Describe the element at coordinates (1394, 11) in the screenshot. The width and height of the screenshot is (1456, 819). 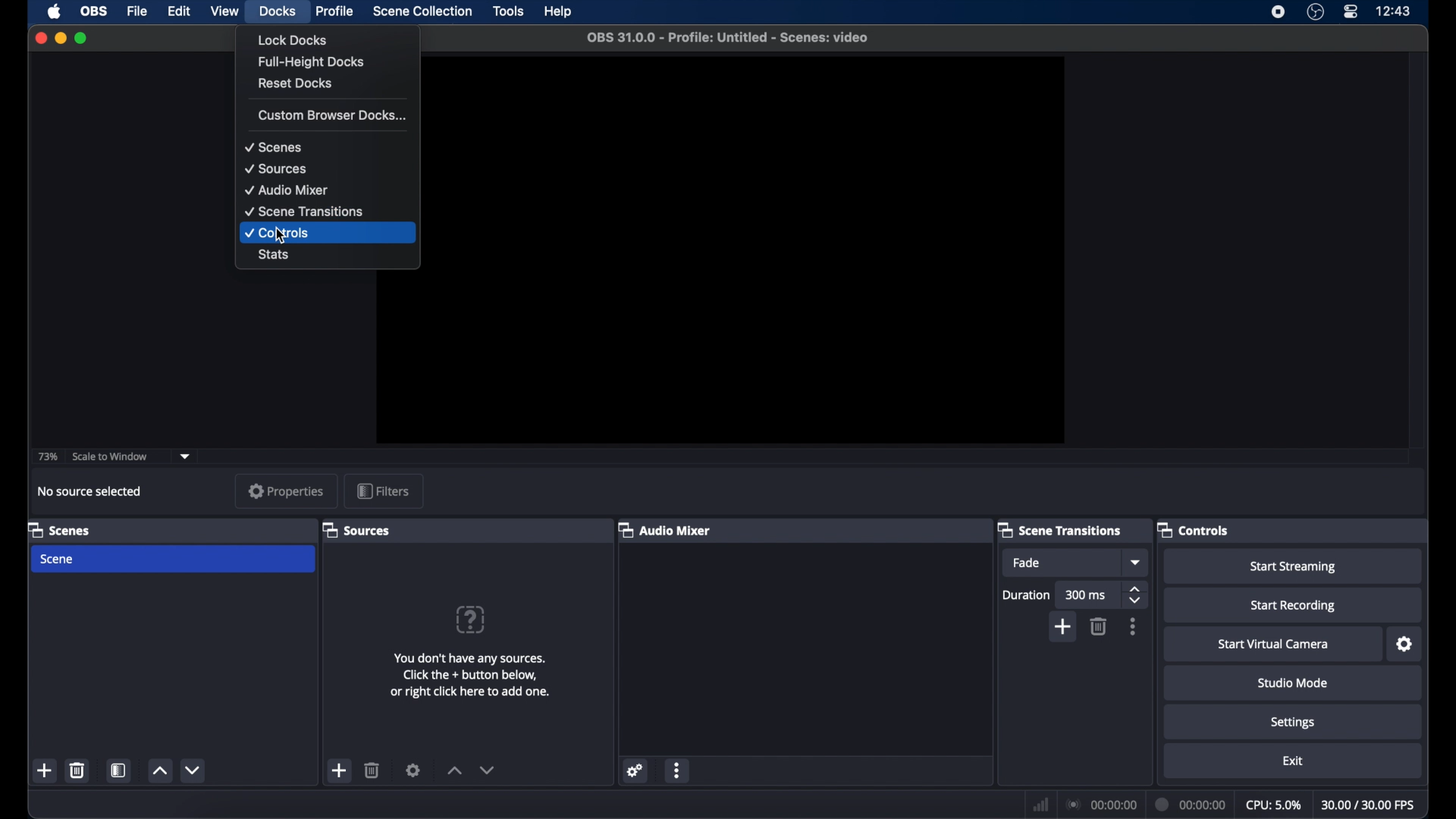
I see `time` at that location.